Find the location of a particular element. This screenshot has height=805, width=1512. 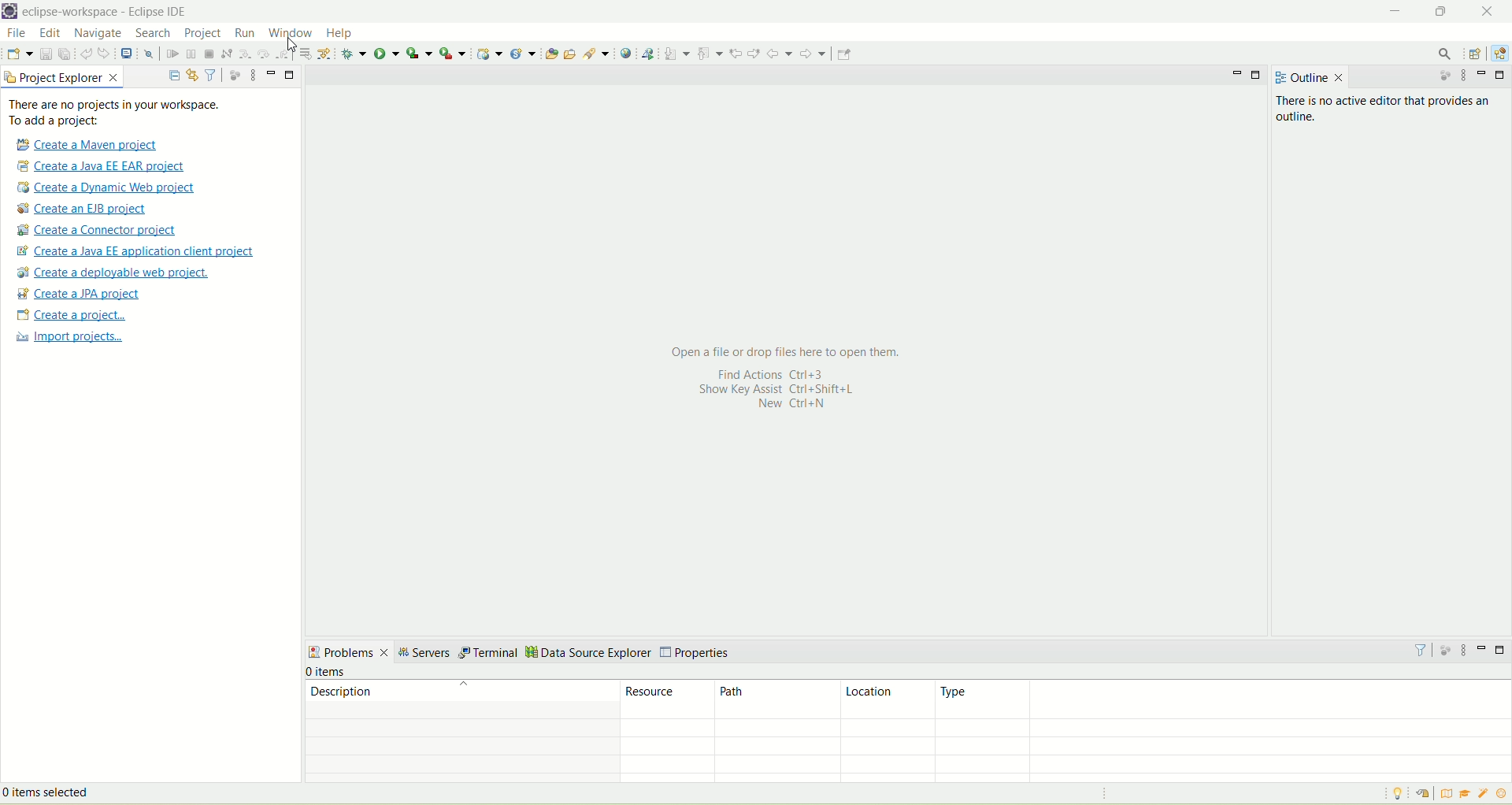

data source explorer is located at coordinates (588, 651).